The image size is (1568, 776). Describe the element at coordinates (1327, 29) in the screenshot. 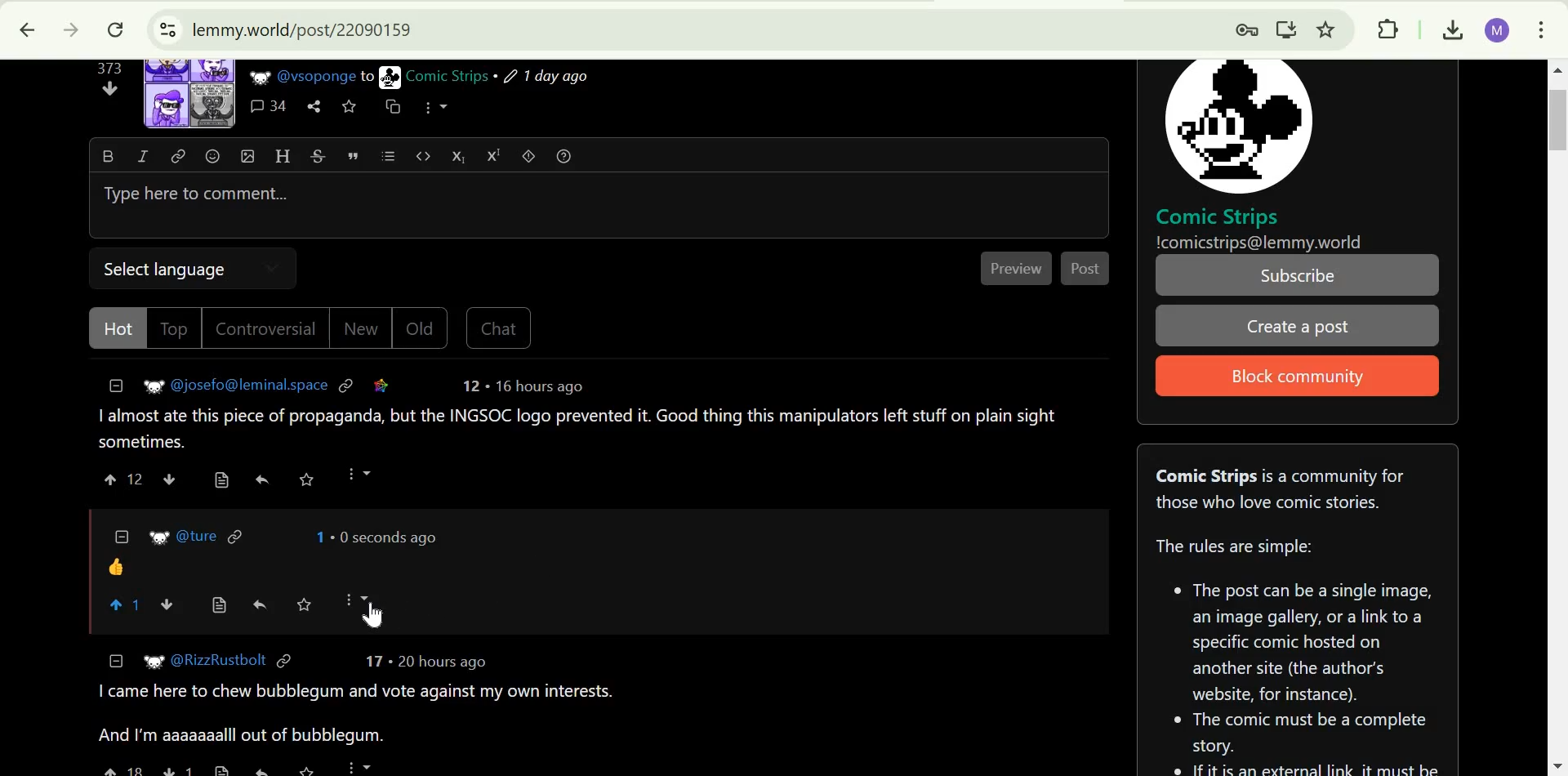

I see `Bookmark this tab` at that location.